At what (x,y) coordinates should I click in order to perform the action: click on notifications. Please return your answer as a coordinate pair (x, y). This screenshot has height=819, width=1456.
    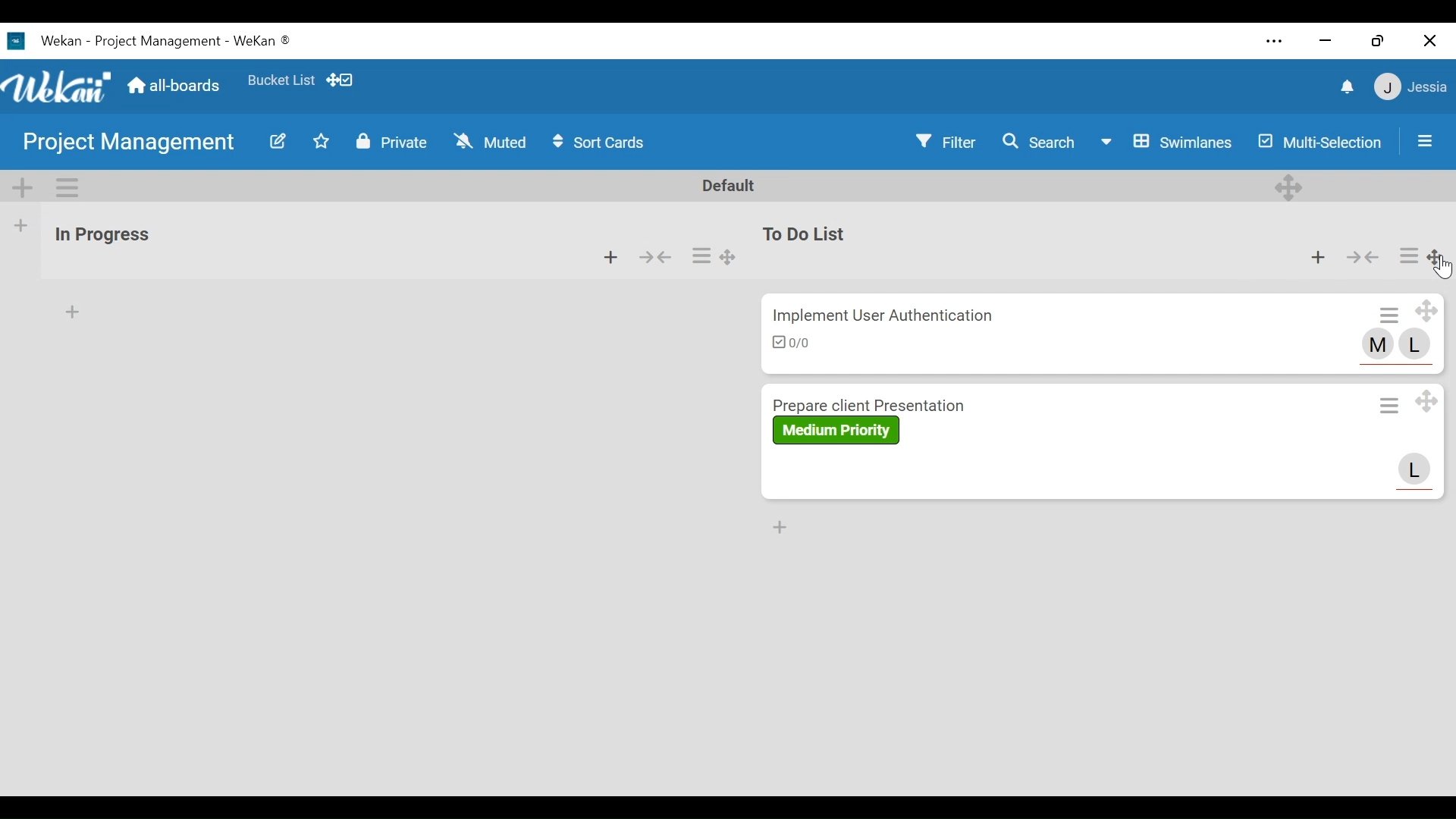
    Looking at the image, I should click on (1346, 87).